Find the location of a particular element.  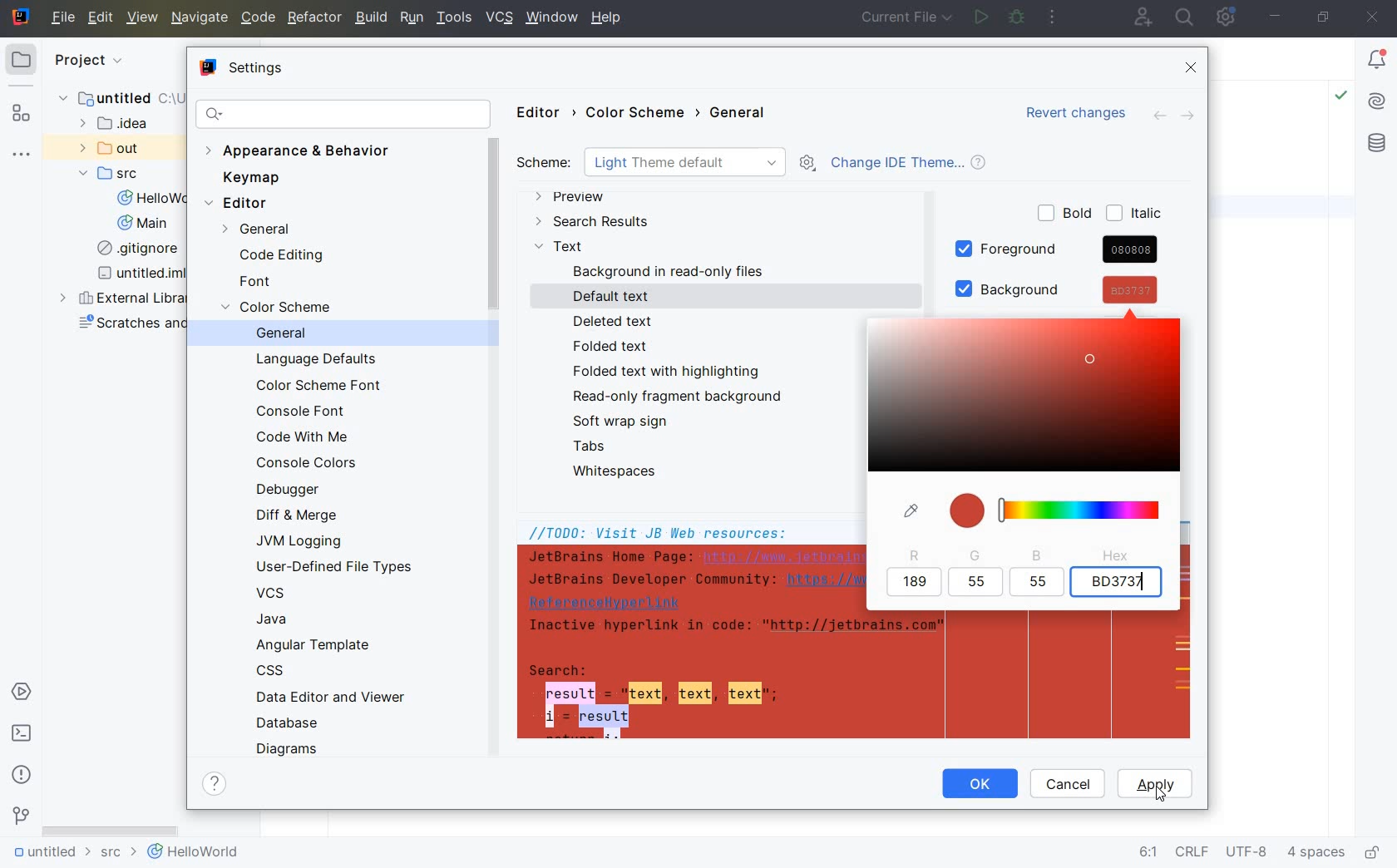

SCHEME is located at coordinates (653, 163).